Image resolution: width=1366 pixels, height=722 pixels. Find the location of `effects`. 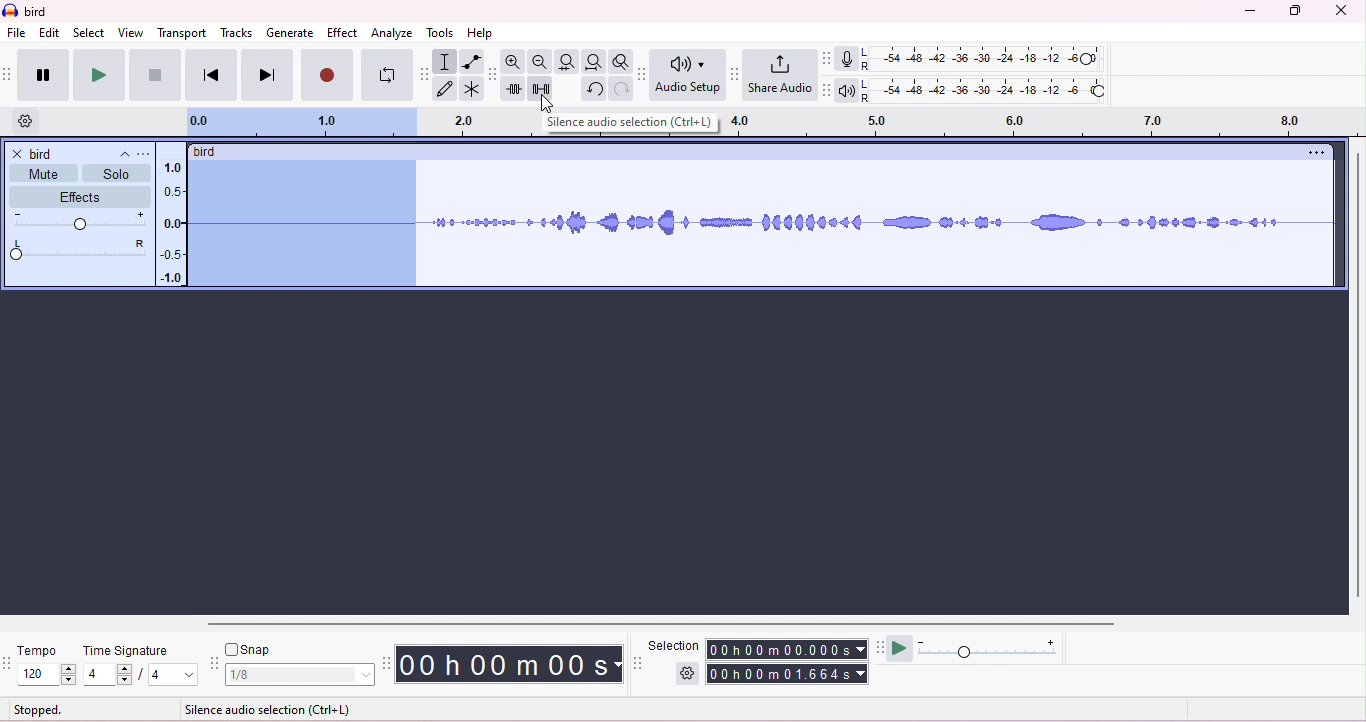

effects is located at coordinates (78, 197).